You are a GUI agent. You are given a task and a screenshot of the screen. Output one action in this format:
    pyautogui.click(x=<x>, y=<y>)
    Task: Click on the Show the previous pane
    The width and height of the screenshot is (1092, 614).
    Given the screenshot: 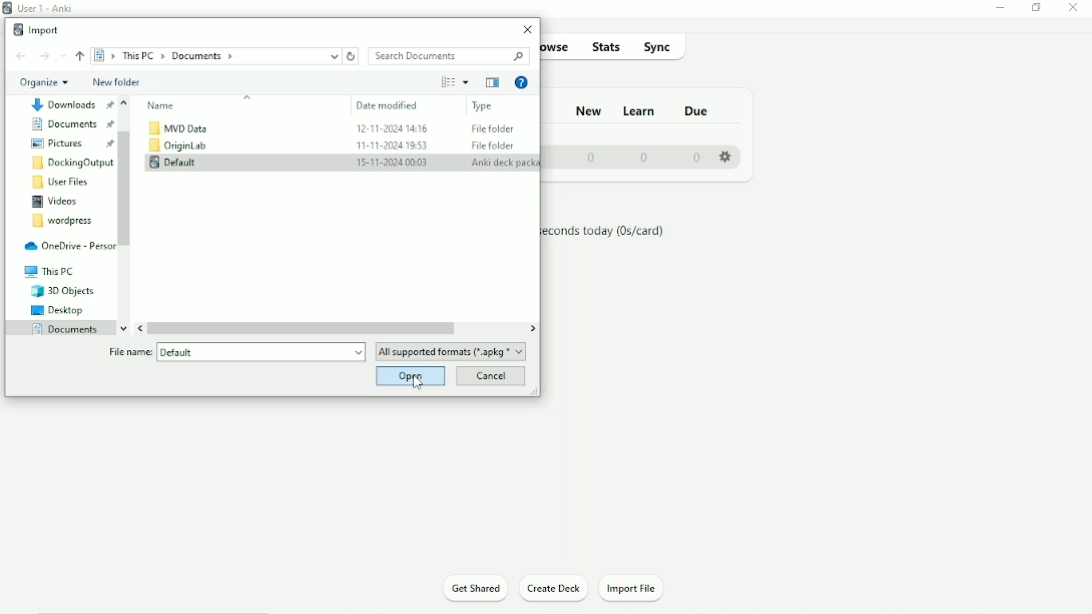 What is the action you would take?
    pyautogui.click(x=492, y=83)
    